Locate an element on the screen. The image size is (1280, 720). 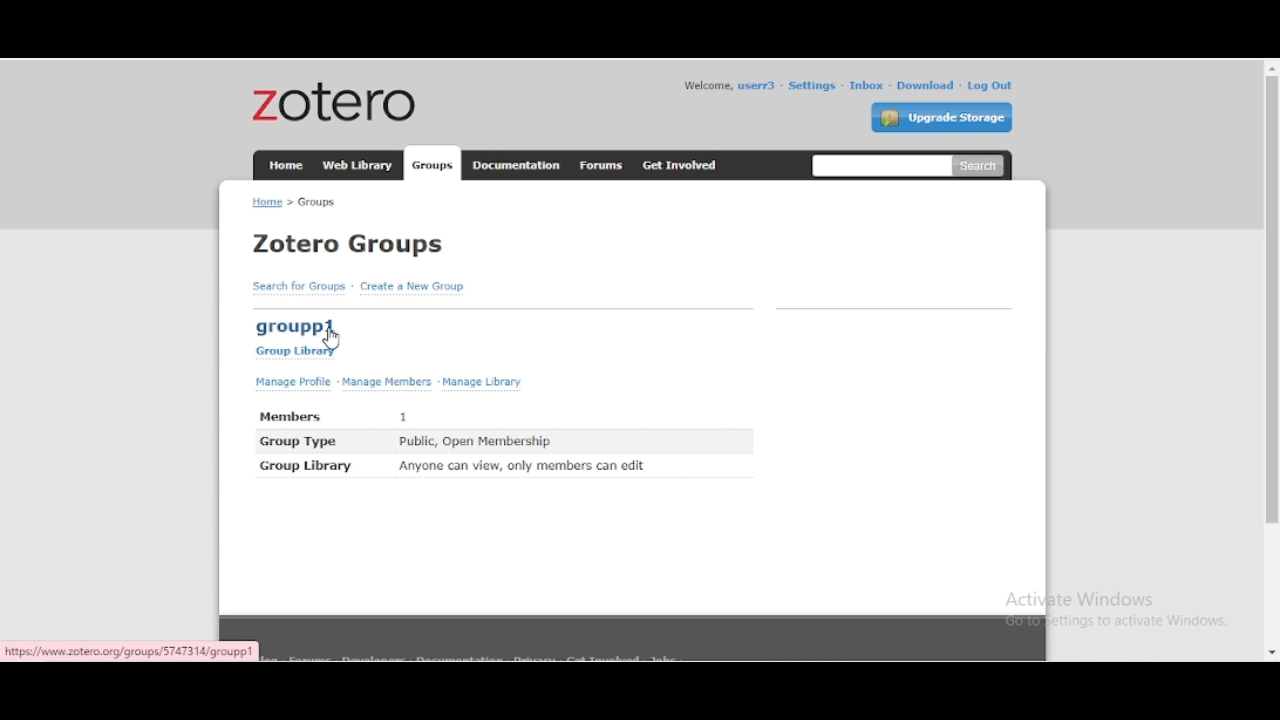
manage library is located at coordinates (482, 383).